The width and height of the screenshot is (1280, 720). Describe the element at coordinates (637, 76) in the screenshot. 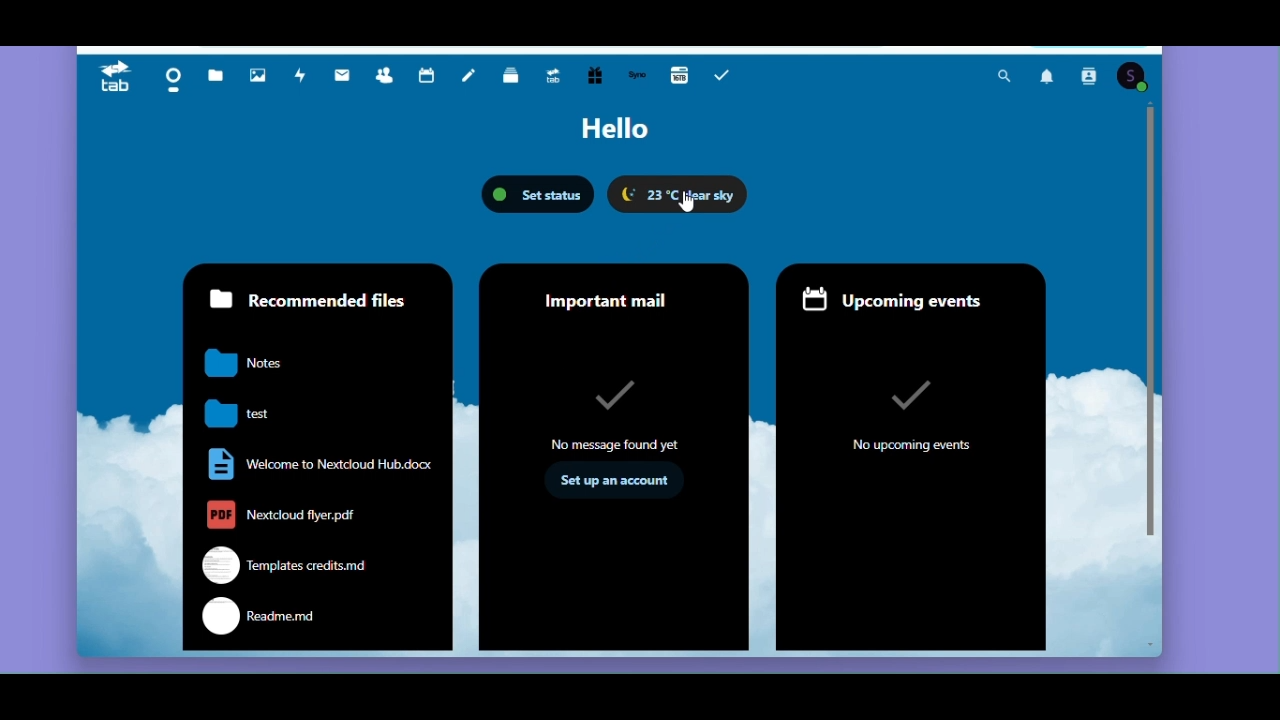

I see `Synology` at that location.